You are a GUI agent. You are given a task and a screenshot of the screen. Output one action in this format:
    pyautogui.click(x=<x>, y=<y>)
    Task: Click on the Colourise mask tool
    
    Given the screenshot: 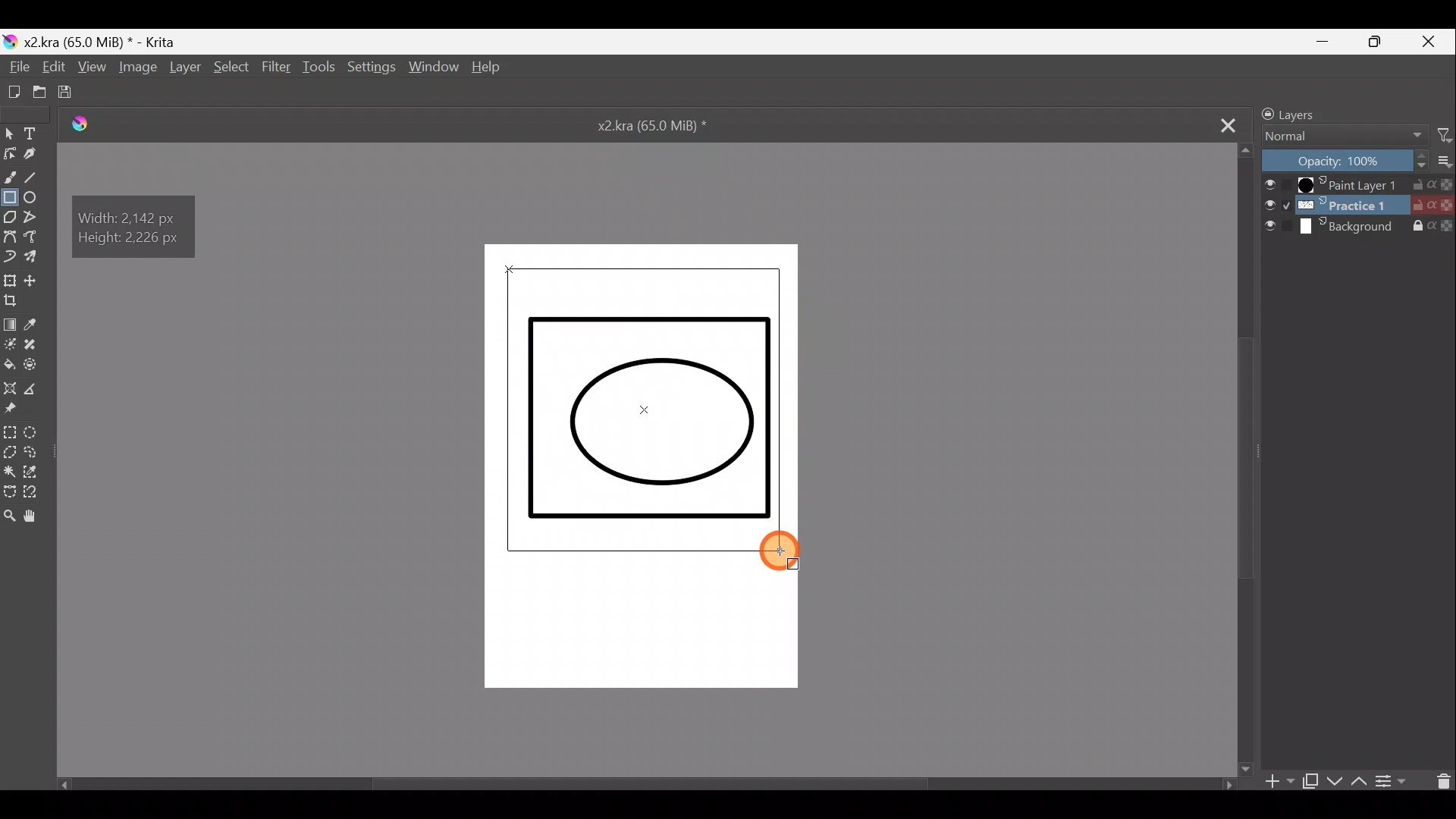 What is the action you would take?
    pyautogui.click(x=9, y=344)
    